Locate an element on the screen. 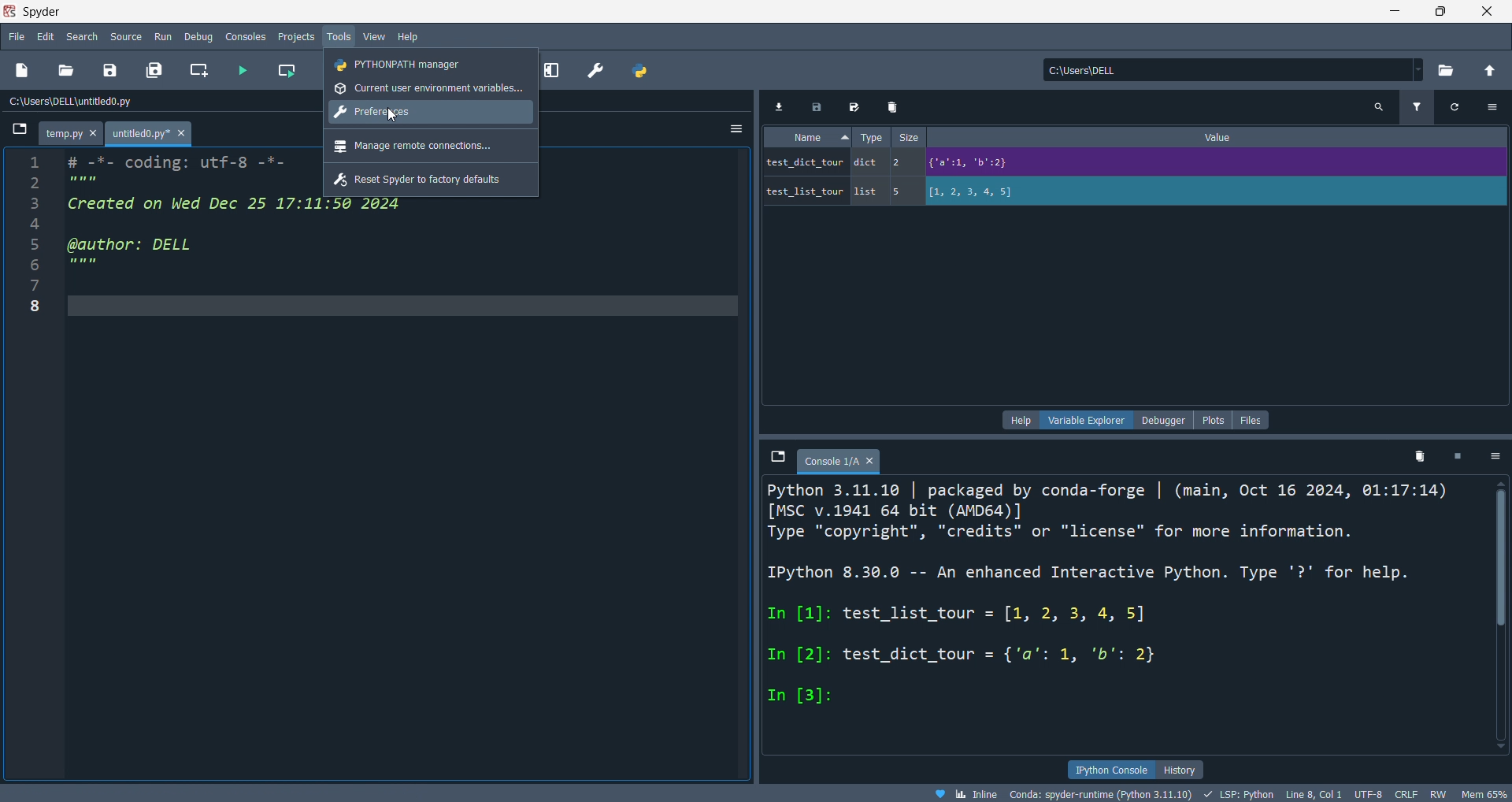 The height and width of the screenshot is (802, 1512). UTF-8 is located at coordinates (1371, 792).